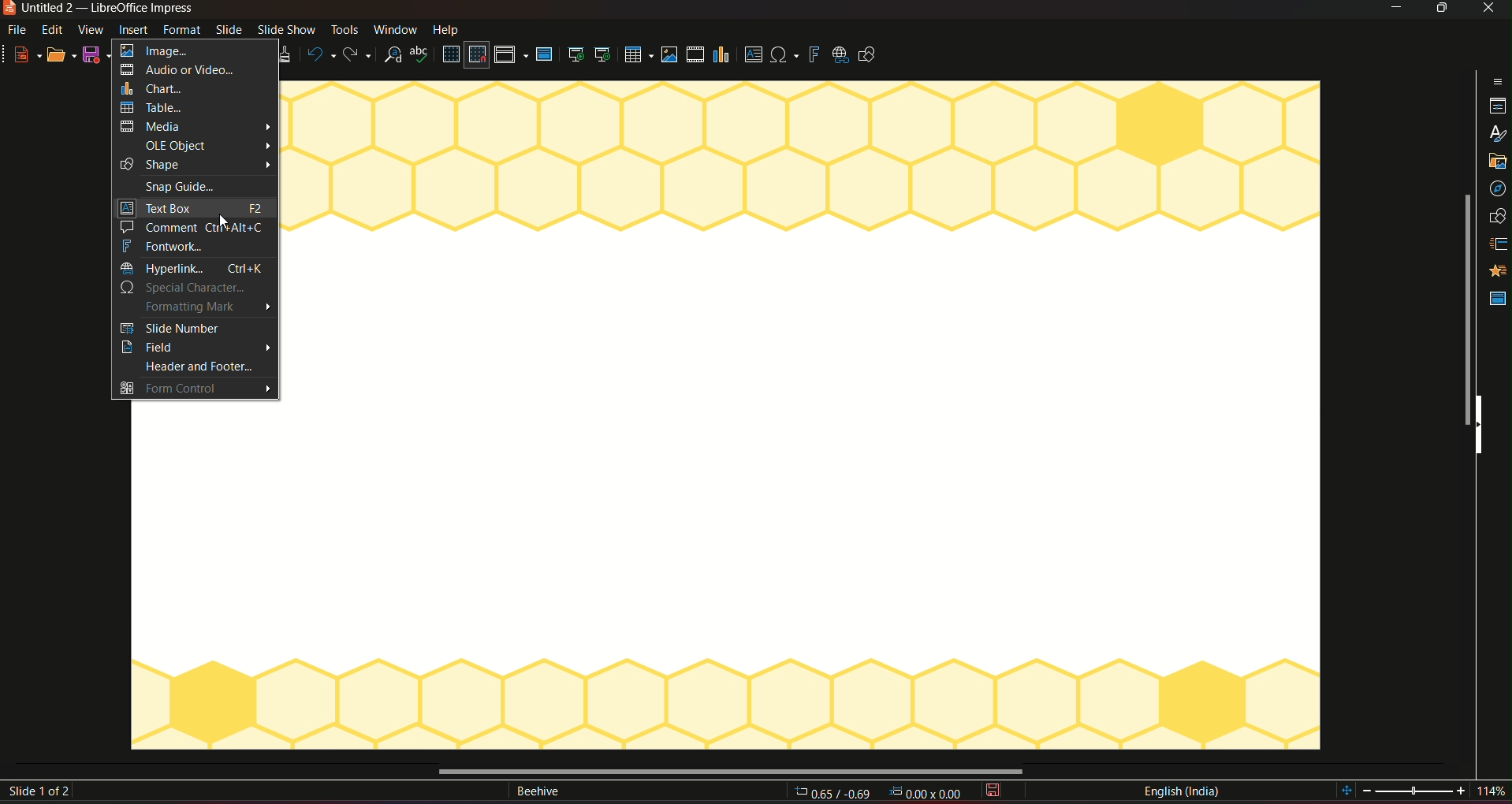  I want to click on header and footer, so click(191, 367).